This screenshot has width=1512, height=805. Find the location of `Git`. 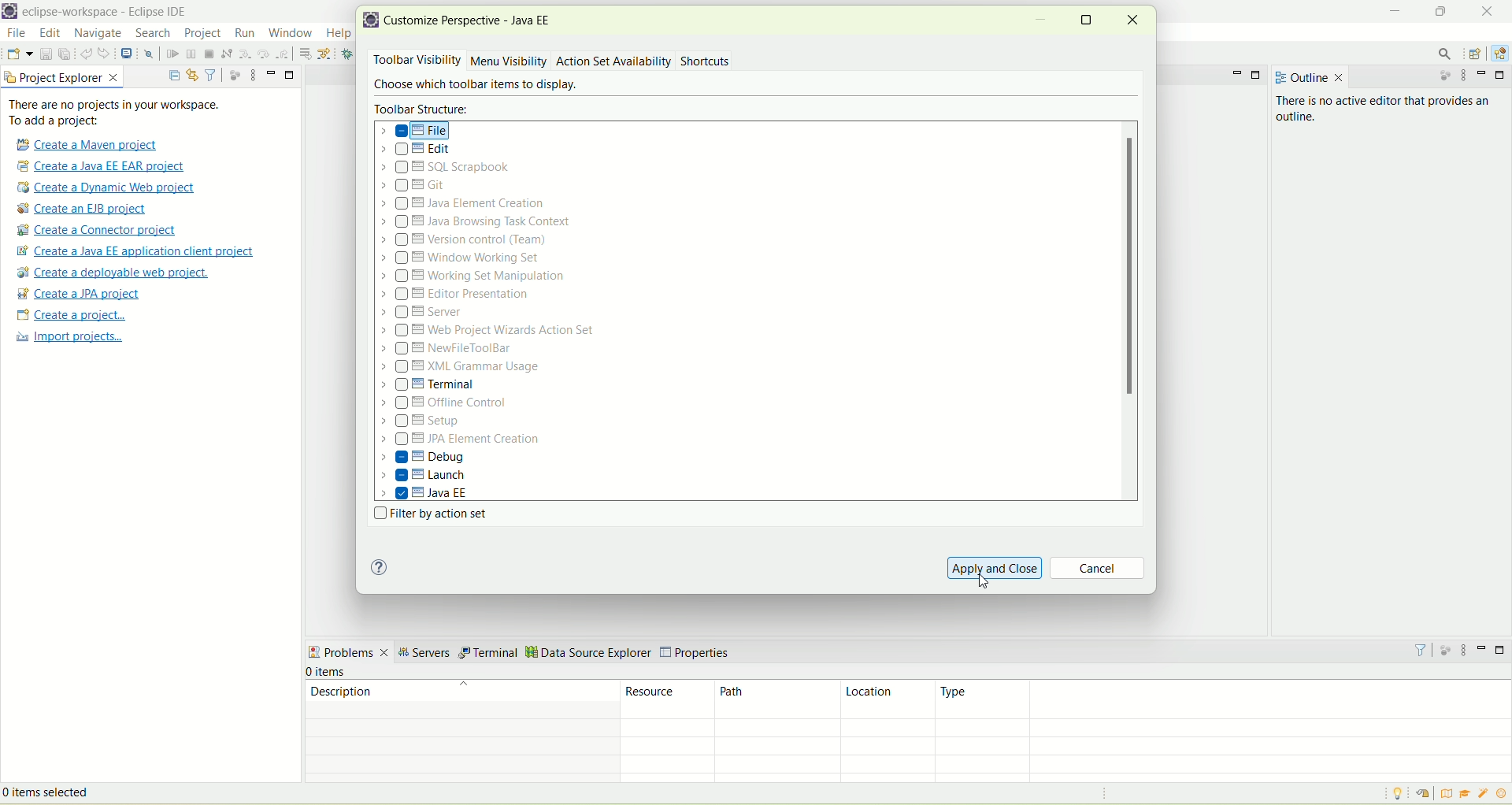

Git is located at coordinates (423, 186).